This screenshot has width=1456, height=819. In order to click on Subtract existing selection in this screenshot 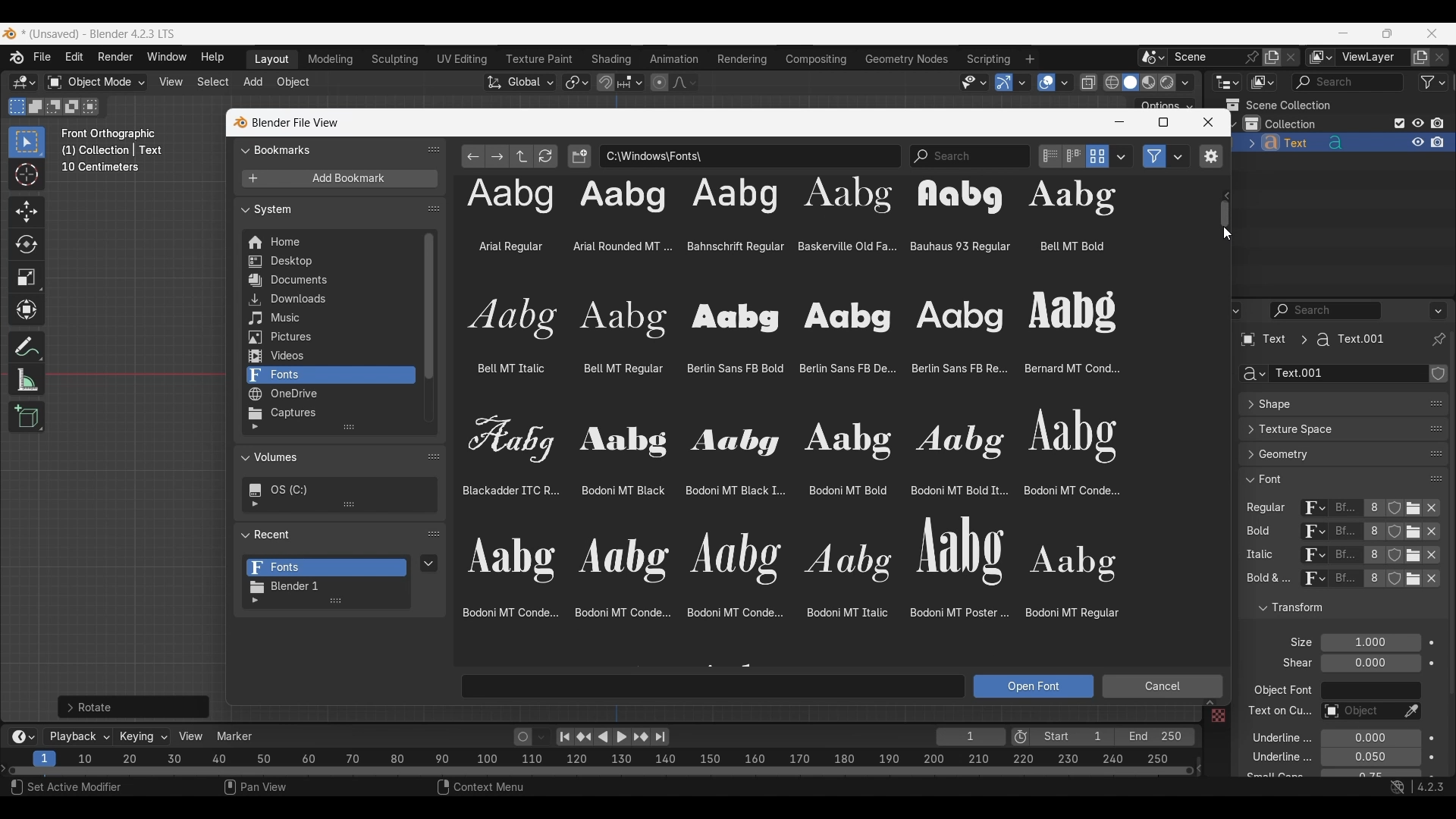, I will do `click(54, 107)`.